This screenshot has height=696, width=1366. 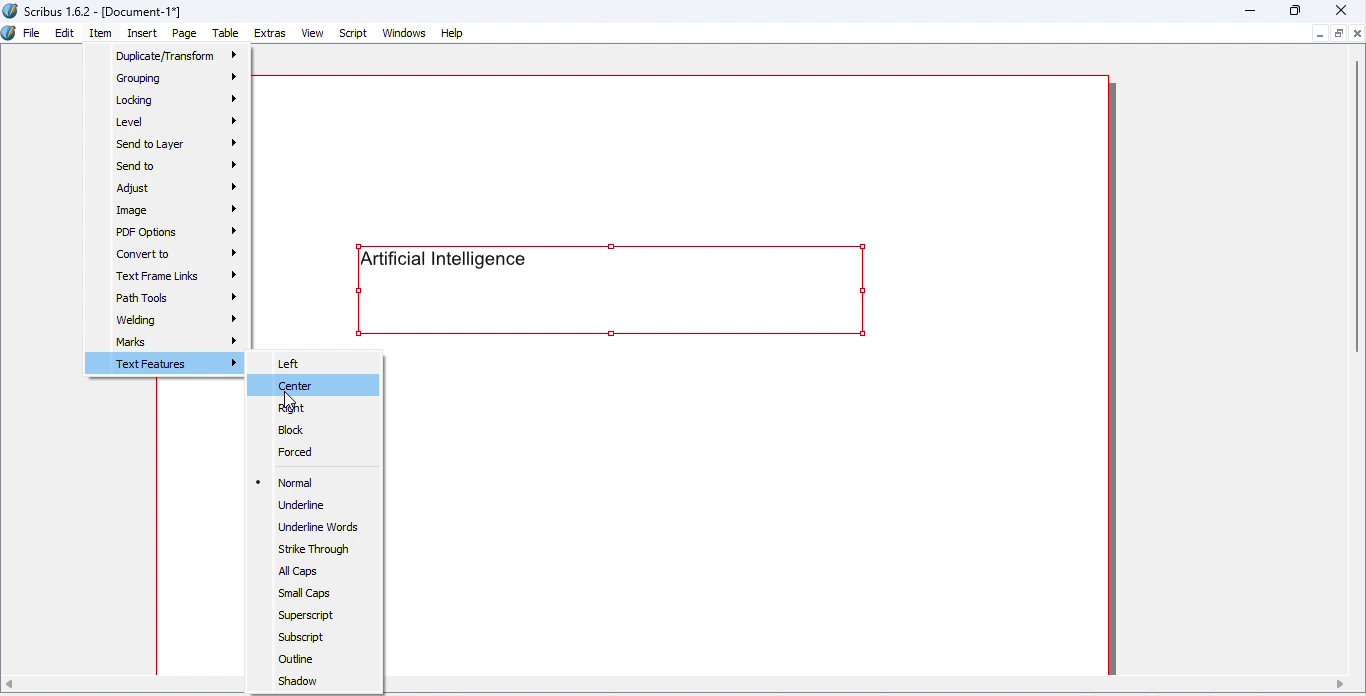 What do you see at coordinates (303, 507) in the screenshot?
I see `Underline` at bounding box center [303, 507].